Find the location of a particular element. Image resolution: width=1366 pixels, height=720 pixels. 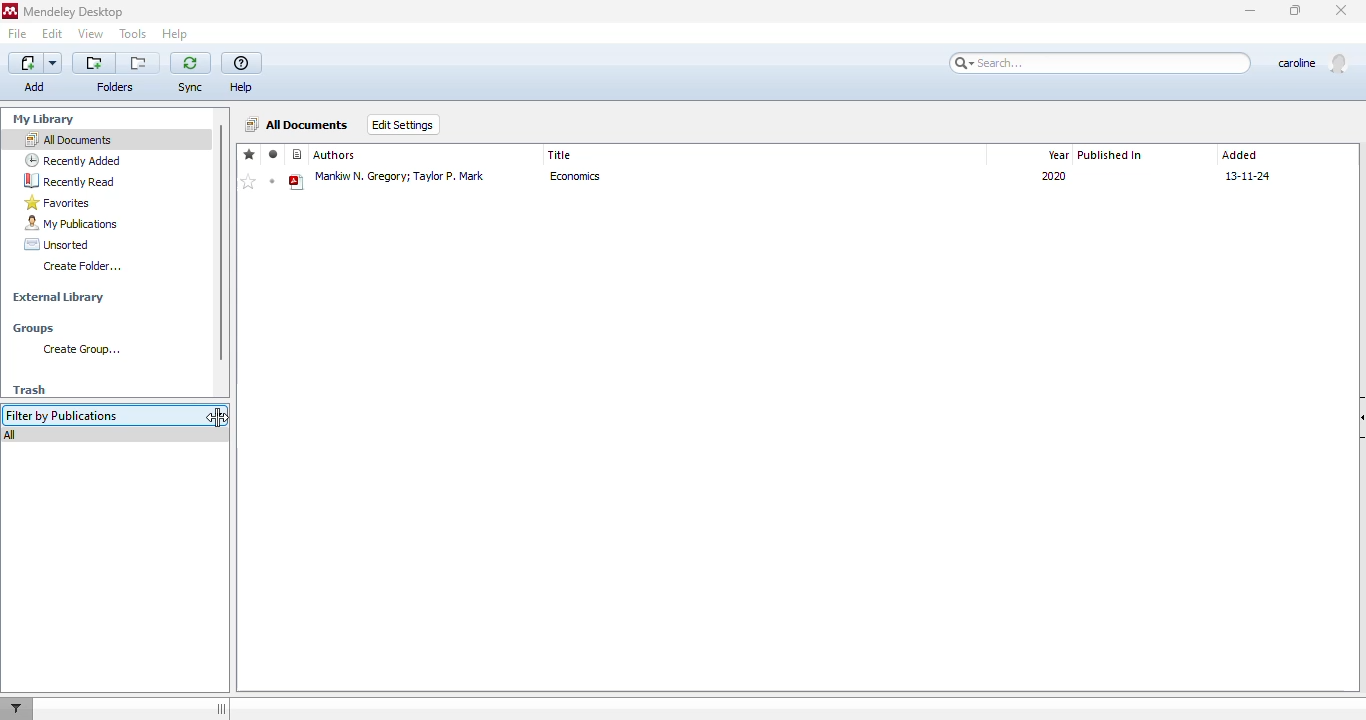

manlow n, gregory,taylor p,mark is located at coordinates (401, 181).